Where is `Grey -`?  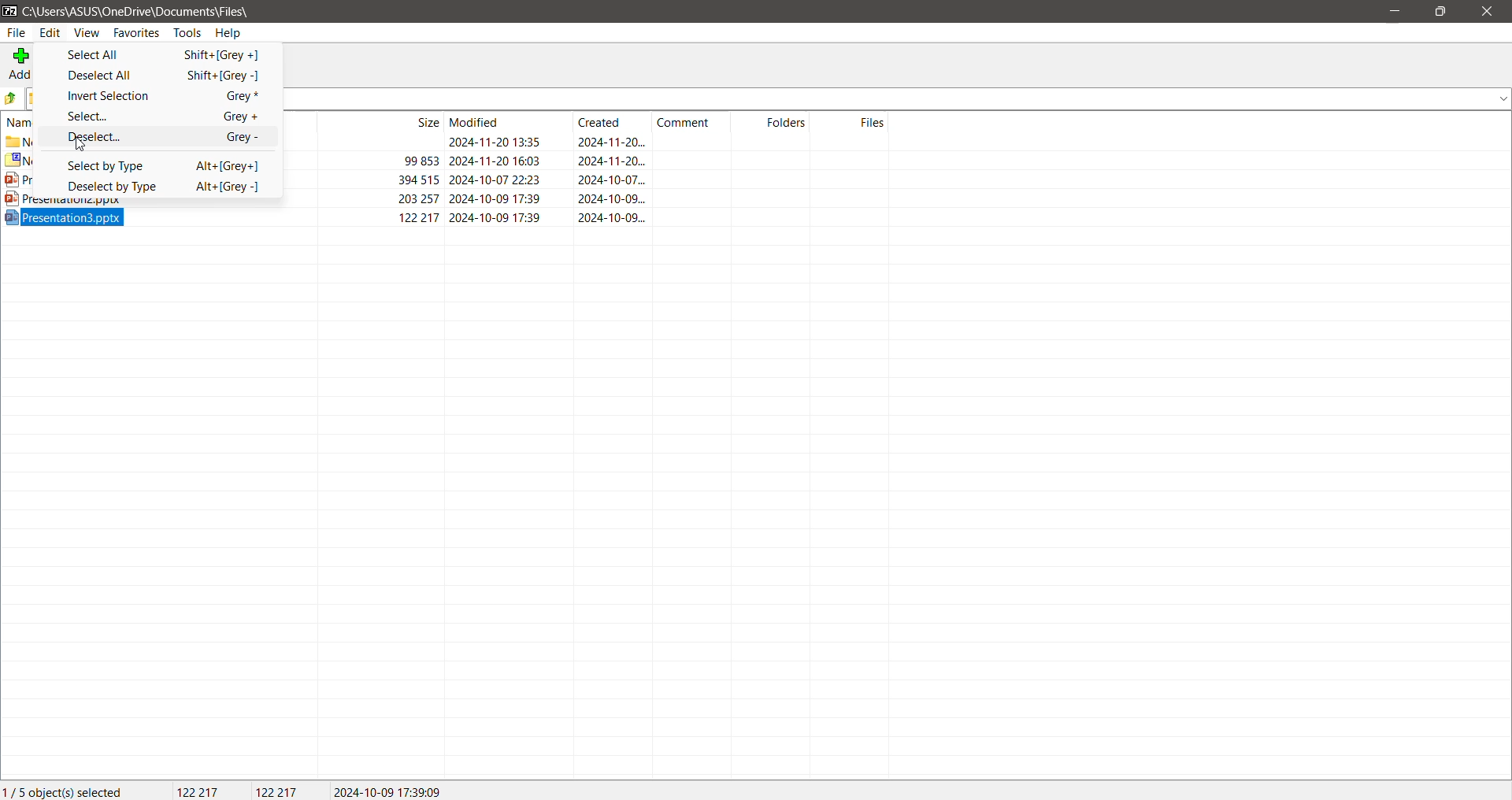
Grey - is located at coordinates (242, 139).